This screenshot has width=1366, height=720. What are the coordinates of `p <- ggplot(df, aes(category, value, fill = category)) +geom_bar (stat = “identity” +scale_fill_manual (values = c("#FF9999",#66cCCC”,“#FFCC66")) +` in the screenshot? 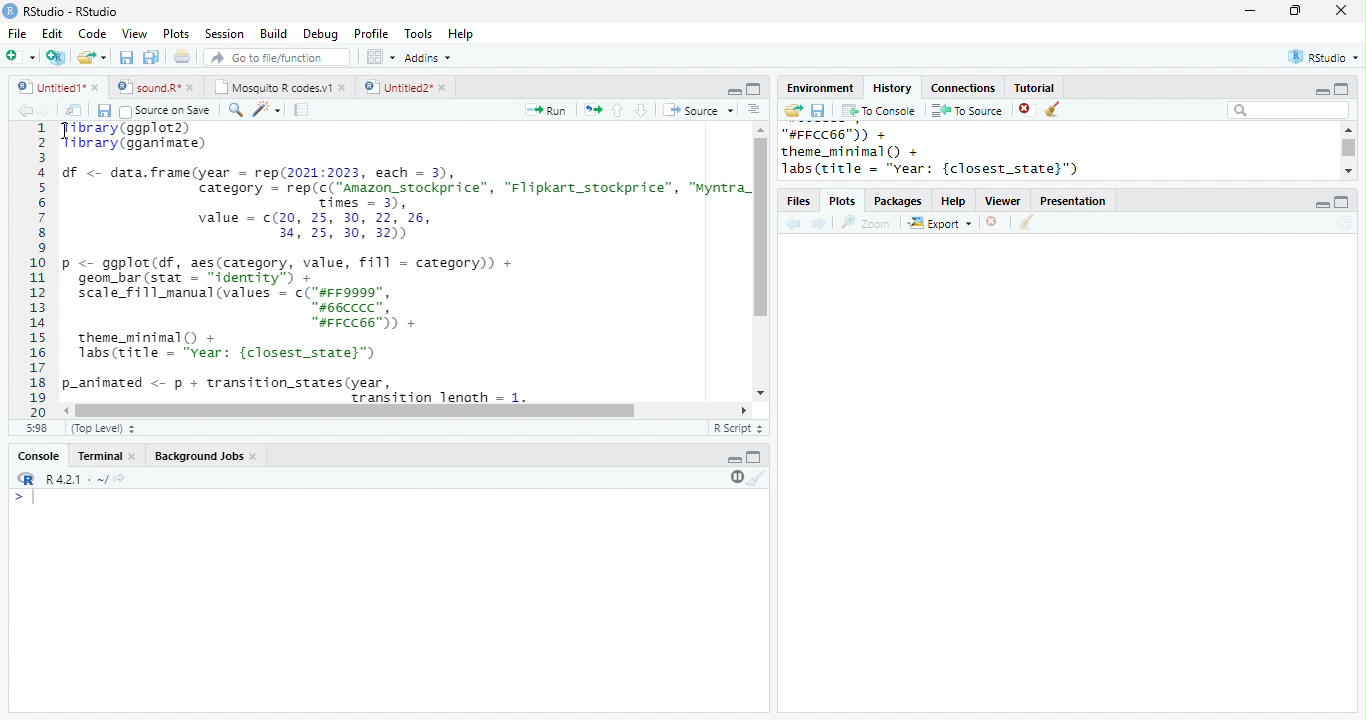 It's located at (291, 292).